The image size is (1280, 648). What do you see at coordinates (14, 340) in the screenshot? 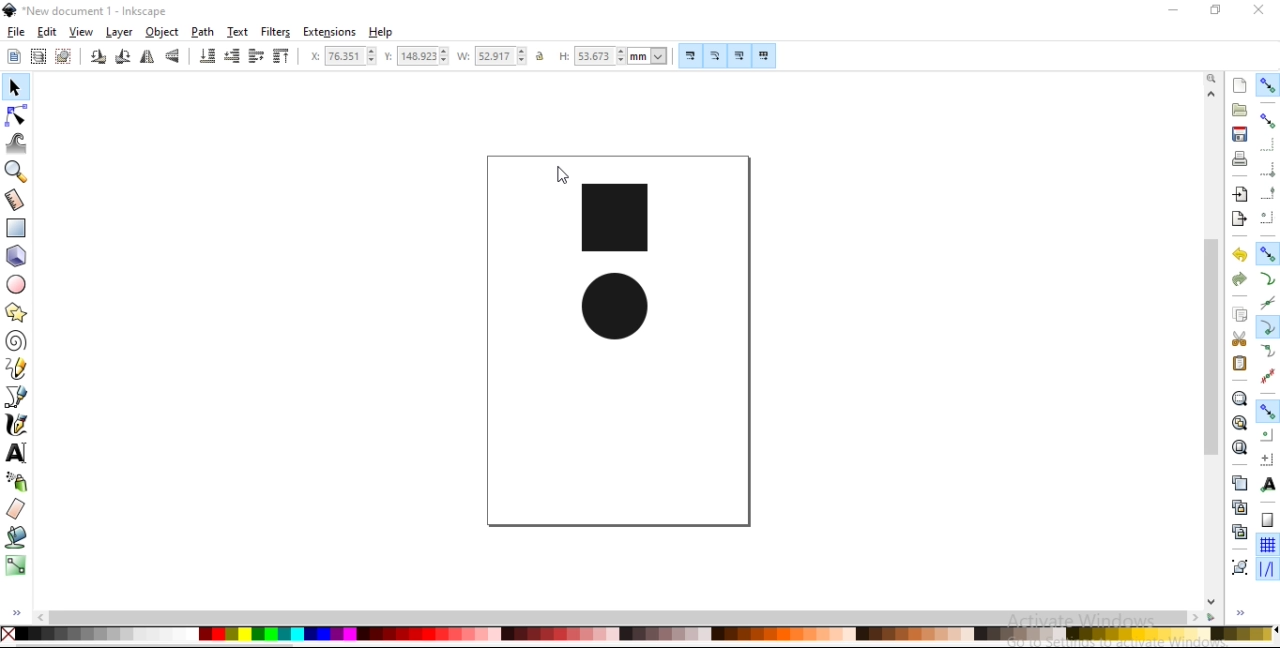
I see `create spiral ` at bounding box center [14, 340].